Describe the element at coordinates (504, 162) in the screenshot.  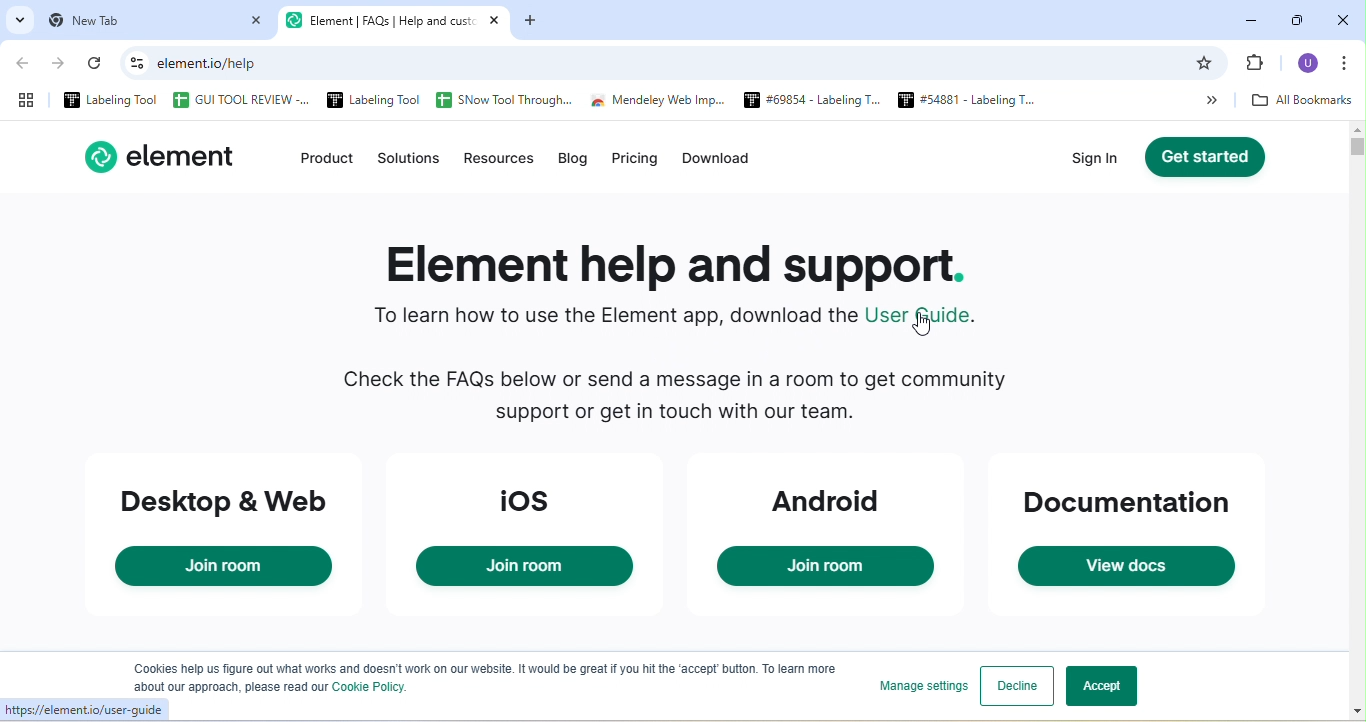
I see `resources` at that location.